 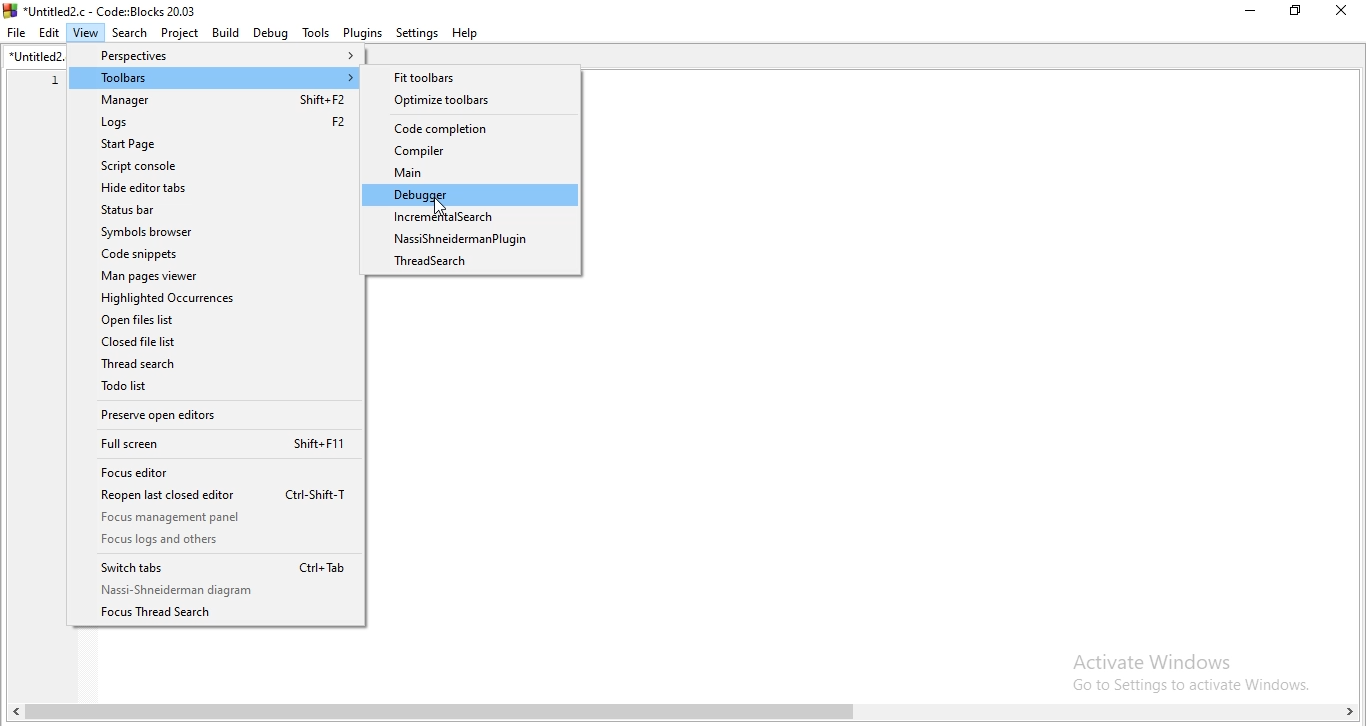 What do you see at coordinates (210, 255) in the screenshot?
I see `Code snippets` at bounding box center [210, 255].